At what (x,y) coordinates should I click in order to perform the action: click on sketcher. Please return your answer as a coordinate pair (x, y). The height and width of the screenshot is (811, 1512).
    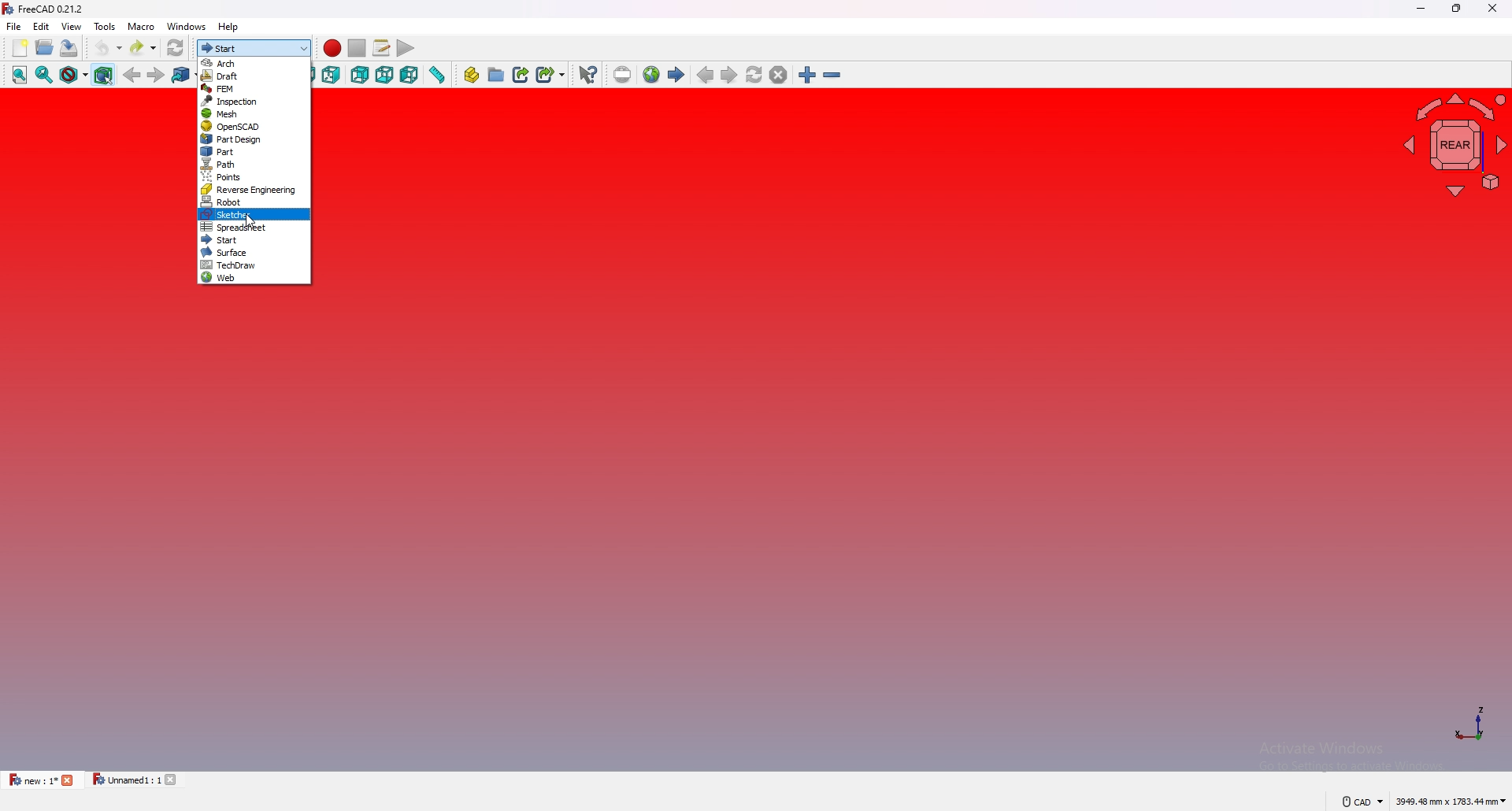
    Looking at the image, I should click on (256, 213).